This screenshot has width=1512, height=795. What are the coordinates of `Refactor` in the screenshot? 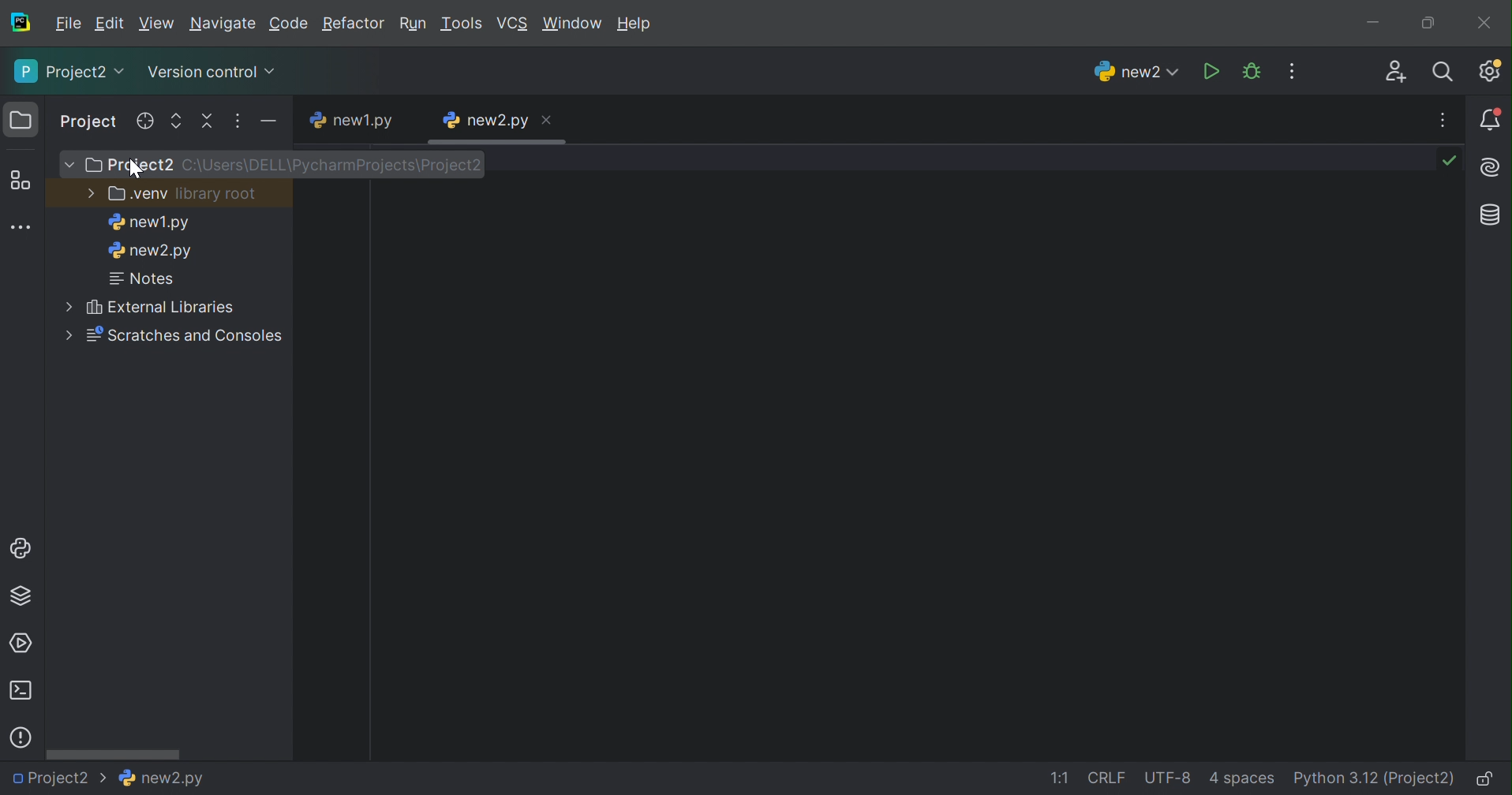 It's located at (353, 24).